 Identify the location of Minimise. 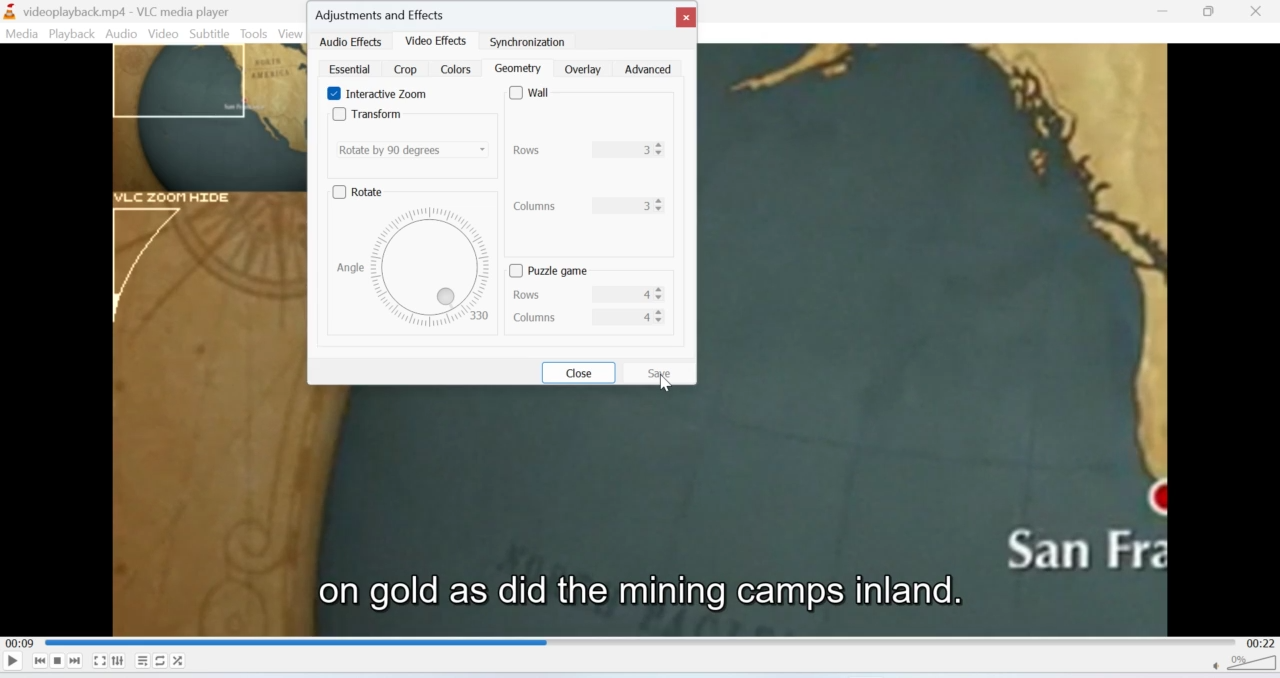
(1208, 11).